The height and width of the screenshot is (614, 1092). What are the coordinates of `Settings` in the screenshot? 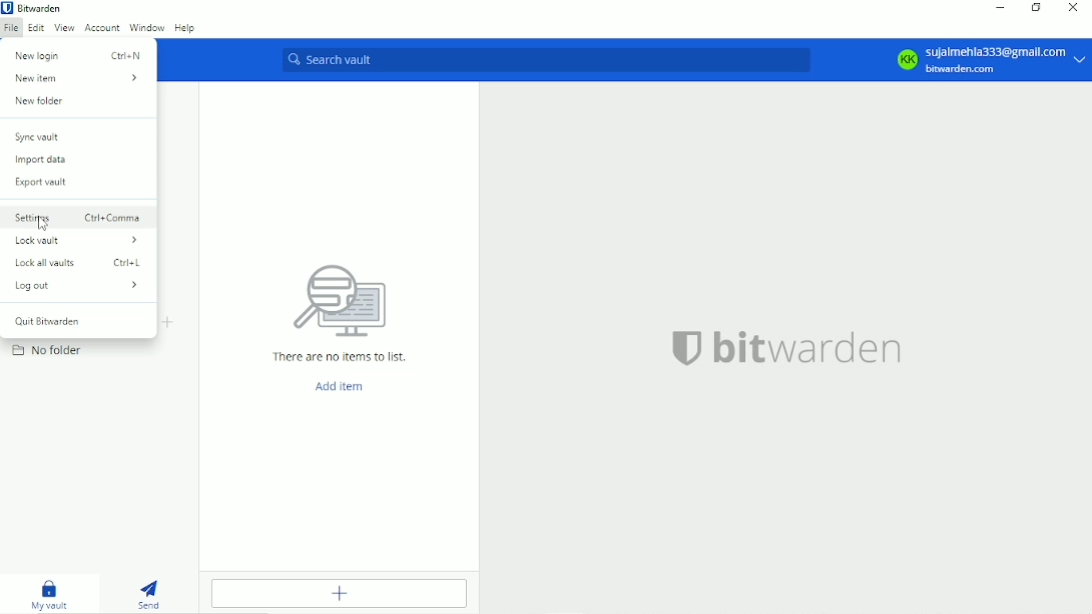 It's located at (81, 219).